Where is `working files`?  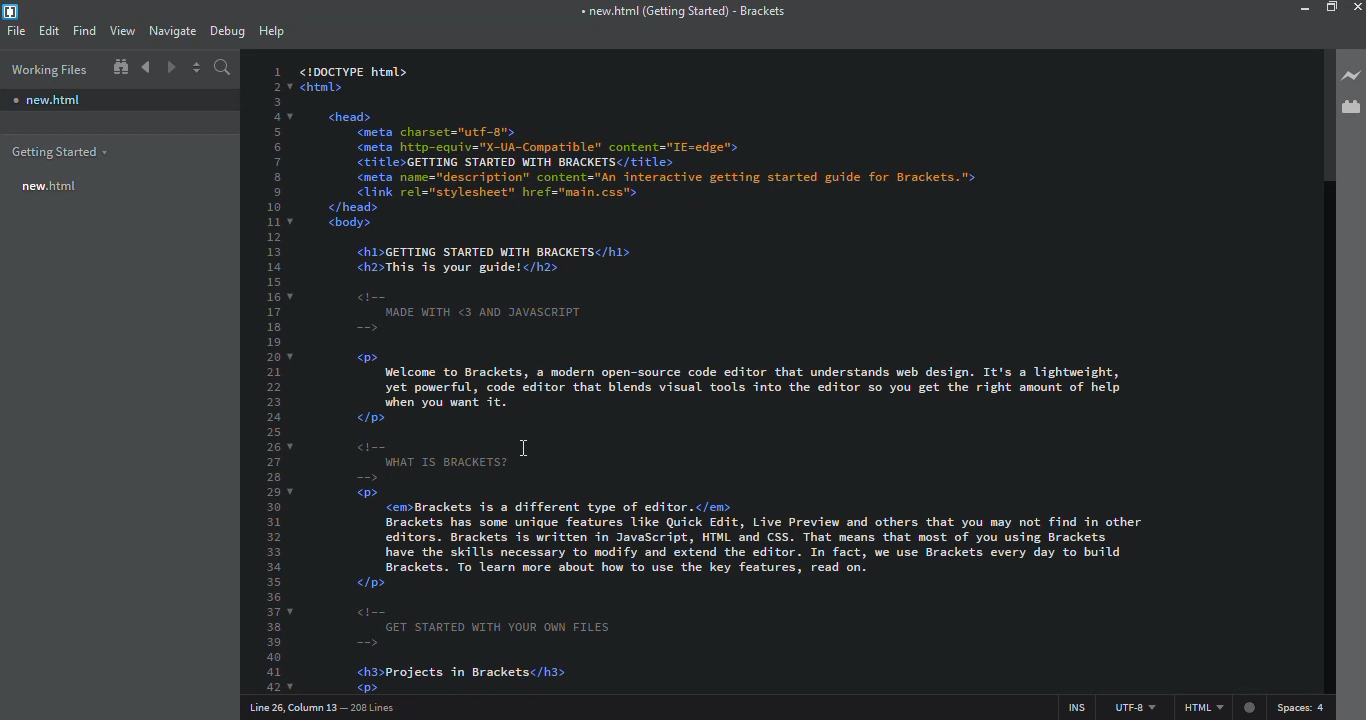 working files is located at coordinates (48, 70).